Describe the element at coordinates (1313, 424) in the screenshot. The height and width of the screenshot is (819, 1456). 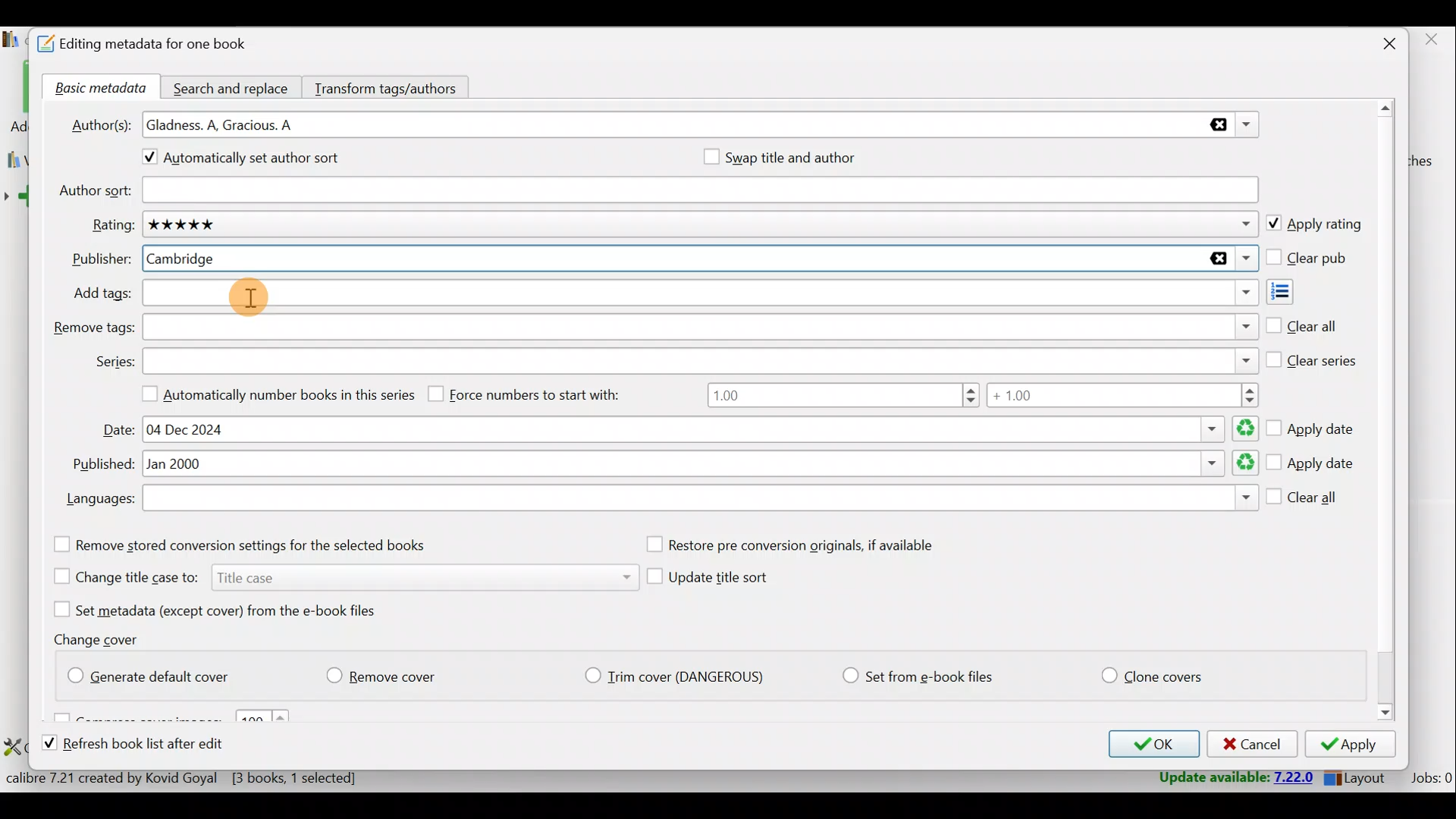
I see `Apply date` at that location.